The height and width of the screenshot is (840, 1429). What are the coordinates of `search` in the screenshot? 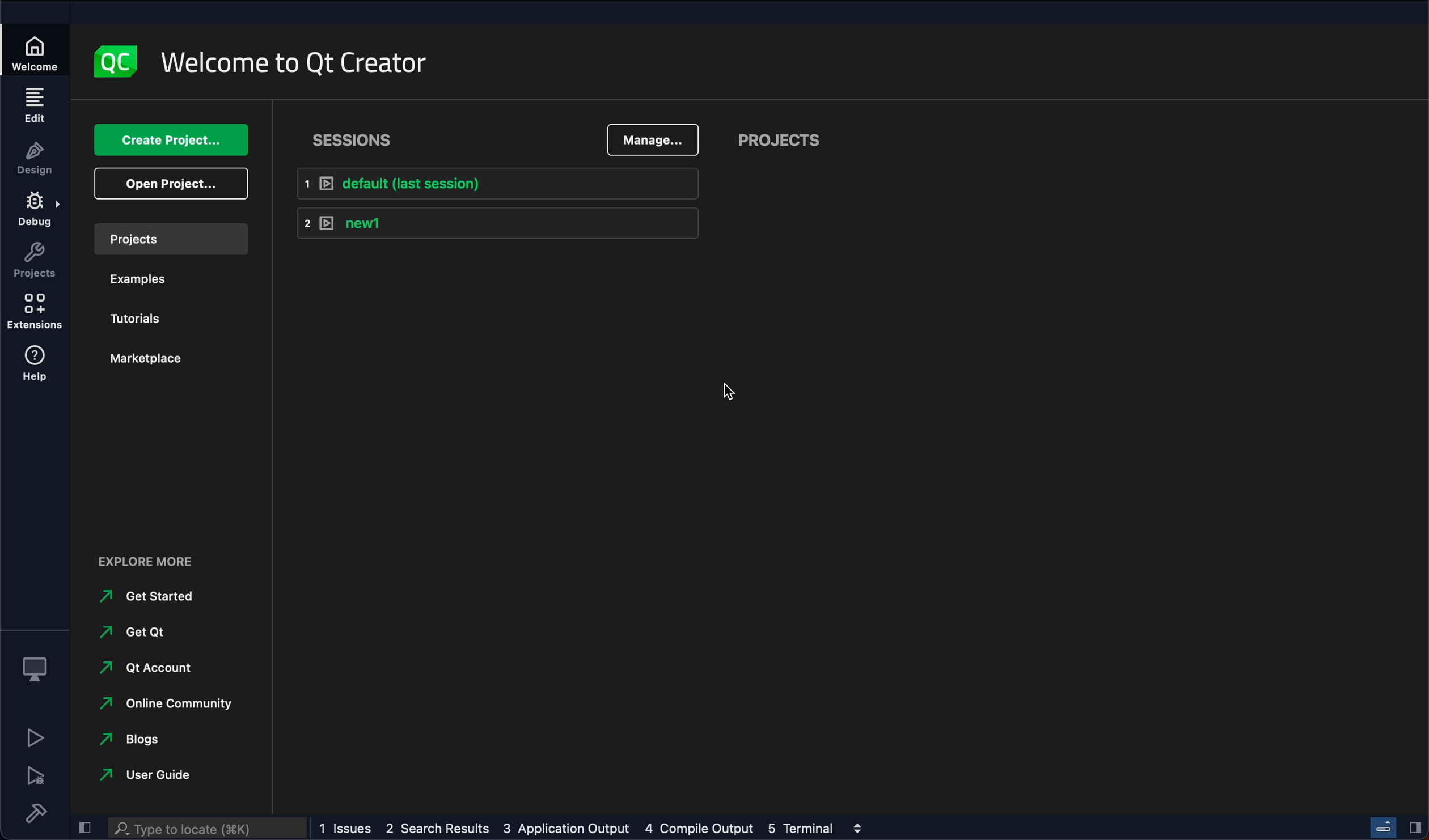 It's located at (206, 829).